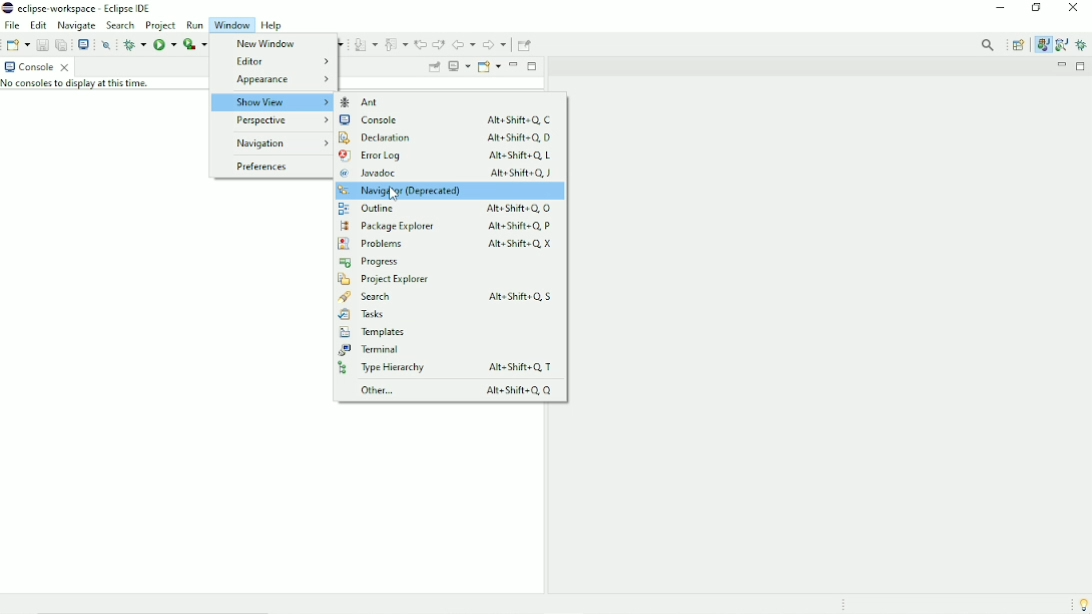 Image resolution: width=1092 pixels, height=614 pixels. I want to click on navigator (deprecated), so click(450, 190).